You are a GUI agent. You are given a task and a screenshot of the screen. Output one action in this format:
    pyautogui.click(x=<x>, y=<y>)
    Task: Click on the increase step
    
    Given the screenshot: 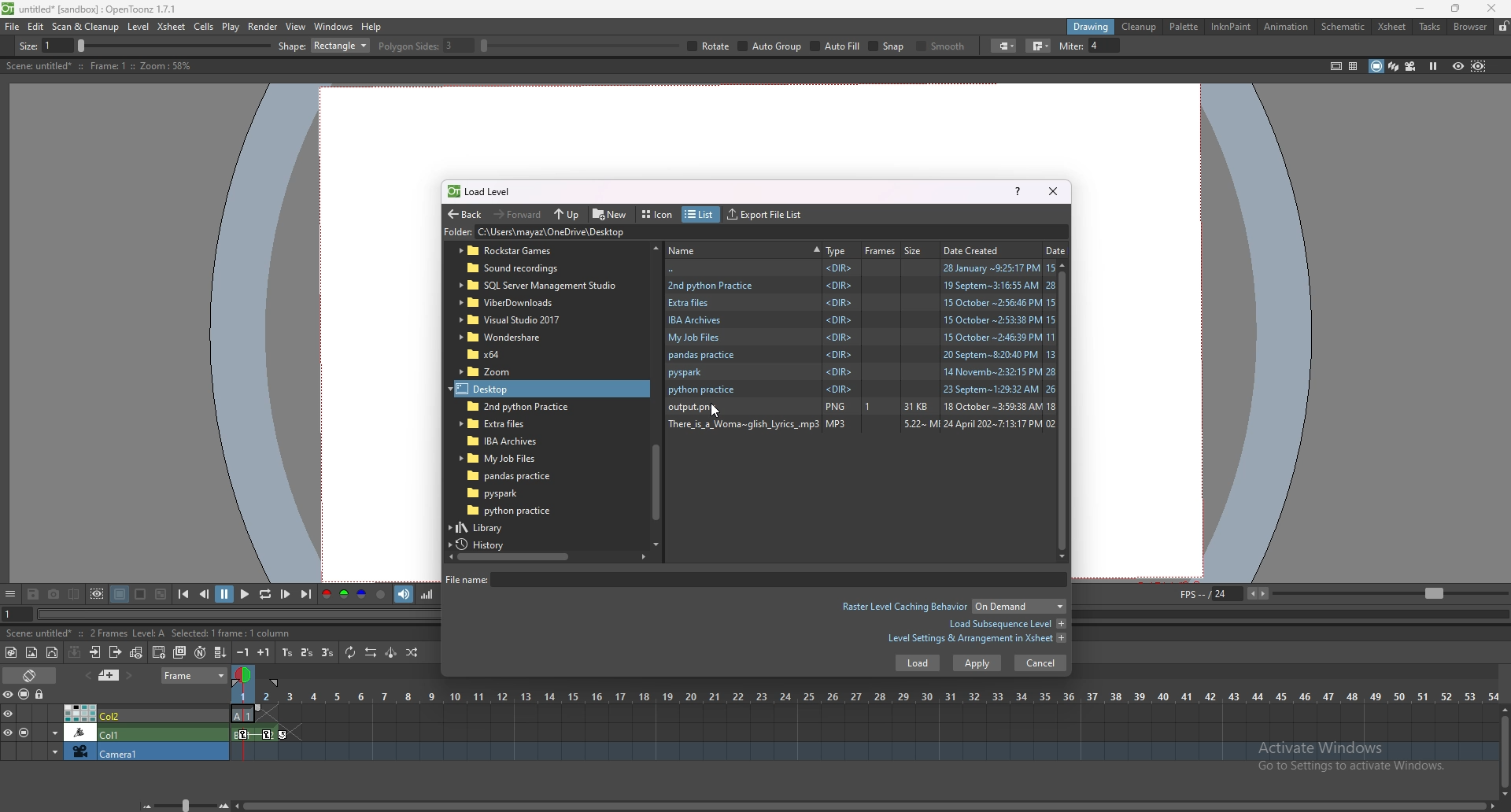 What is the action you would take?
    pyautogui.click(x=264, y=652)
    